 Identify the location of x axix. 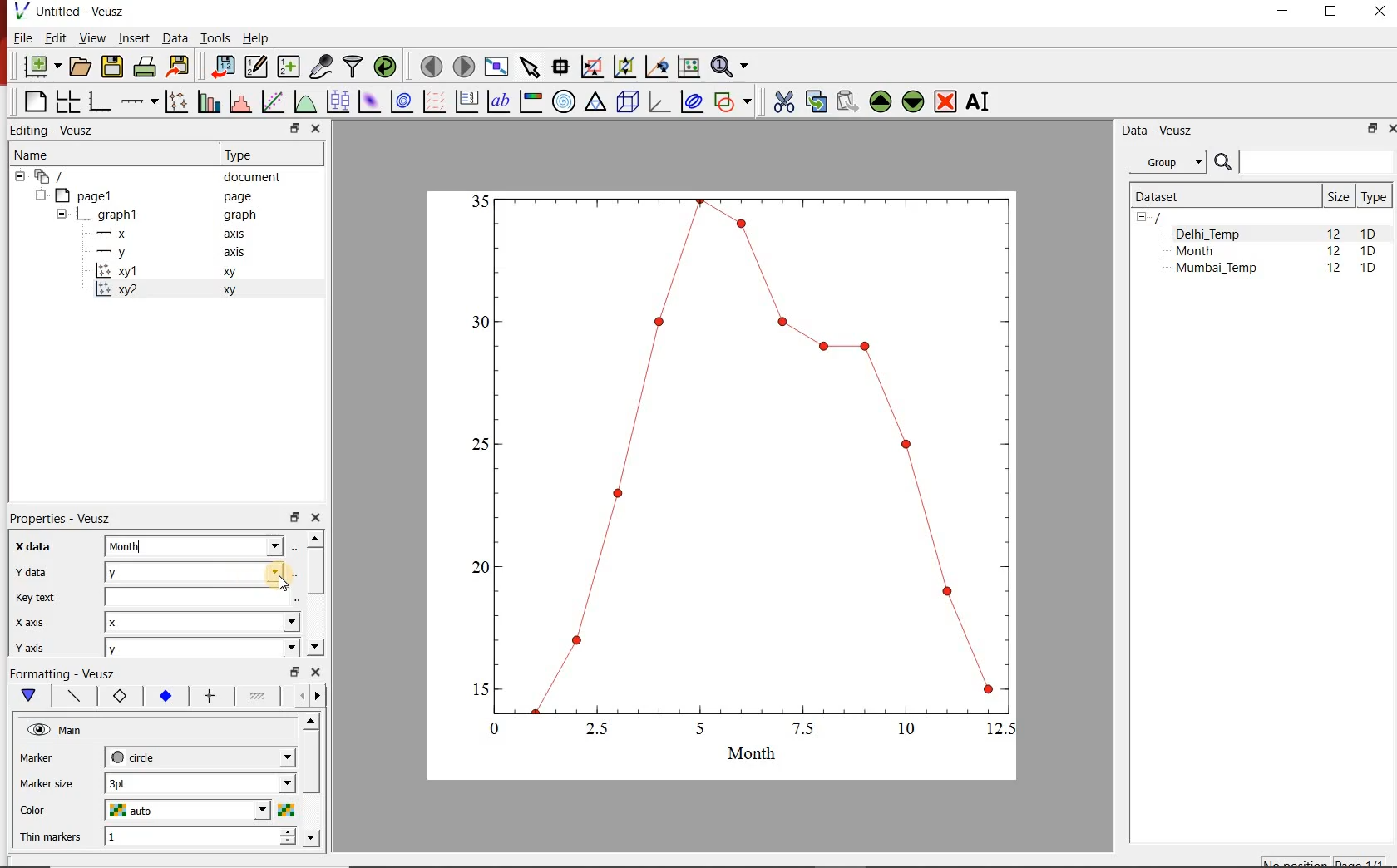
(26, 620).